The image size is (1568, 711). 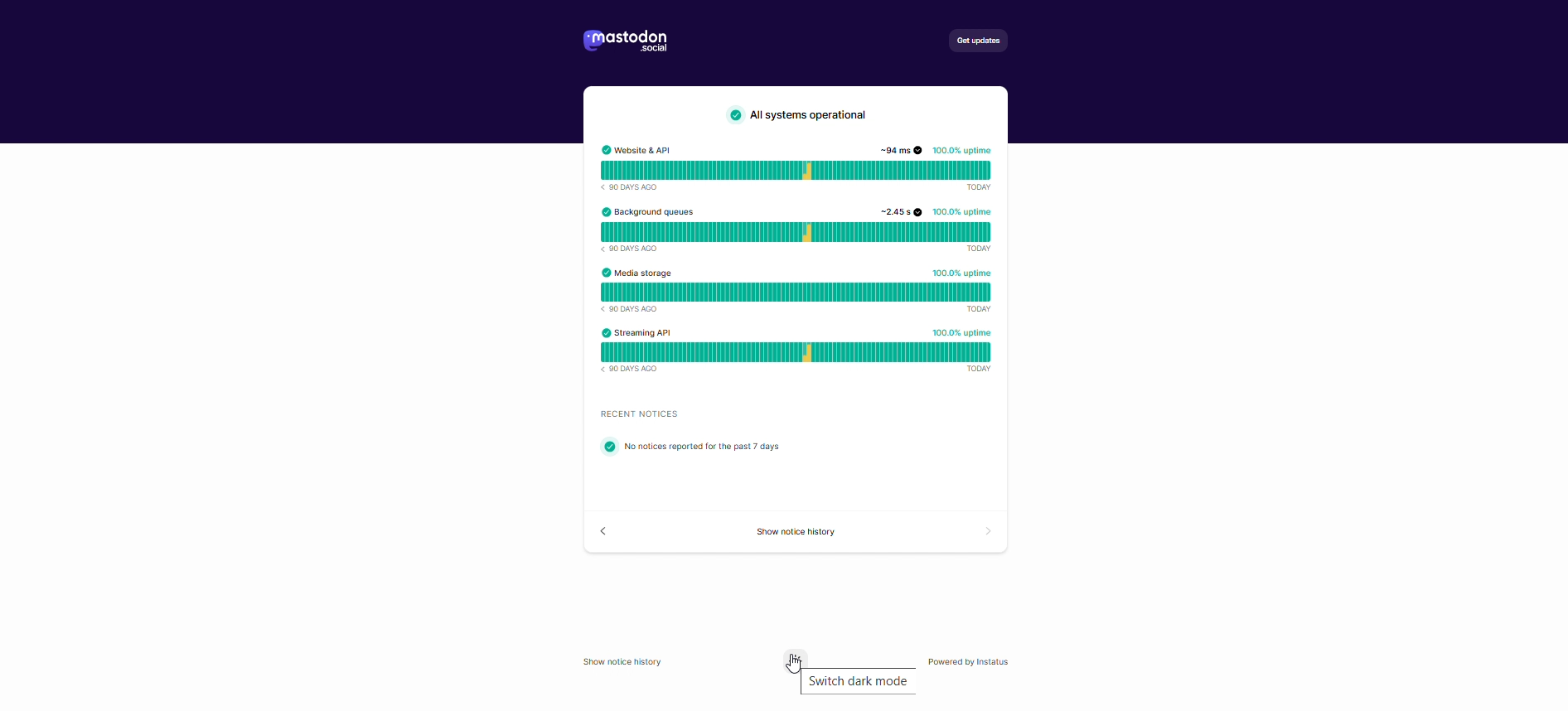 What do you see at coordinates (975, 661) in the screenshot?
I see `powered by instatus` at bounding box center [975, 661].